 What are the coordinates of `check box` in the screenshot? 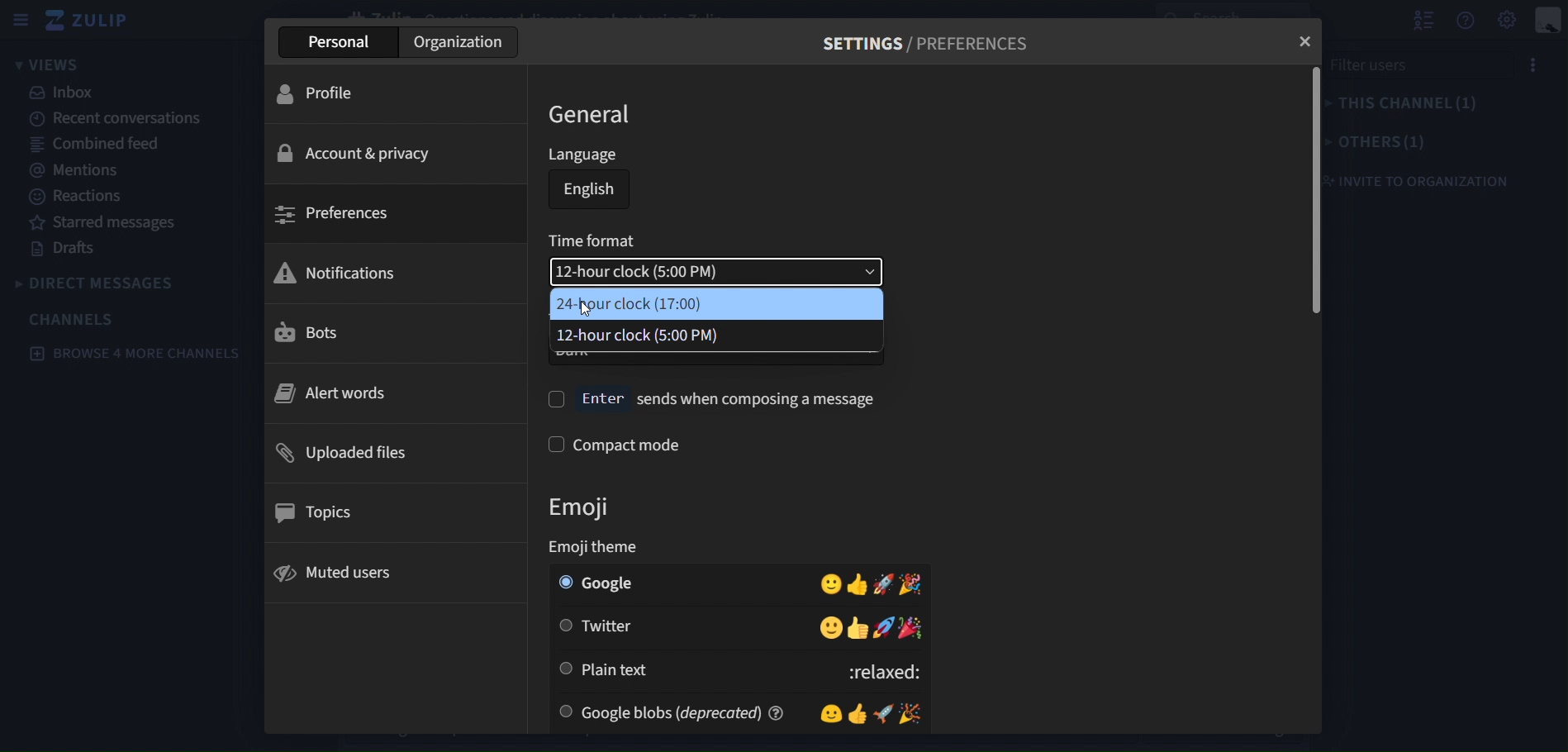 It's located at (550, 443).